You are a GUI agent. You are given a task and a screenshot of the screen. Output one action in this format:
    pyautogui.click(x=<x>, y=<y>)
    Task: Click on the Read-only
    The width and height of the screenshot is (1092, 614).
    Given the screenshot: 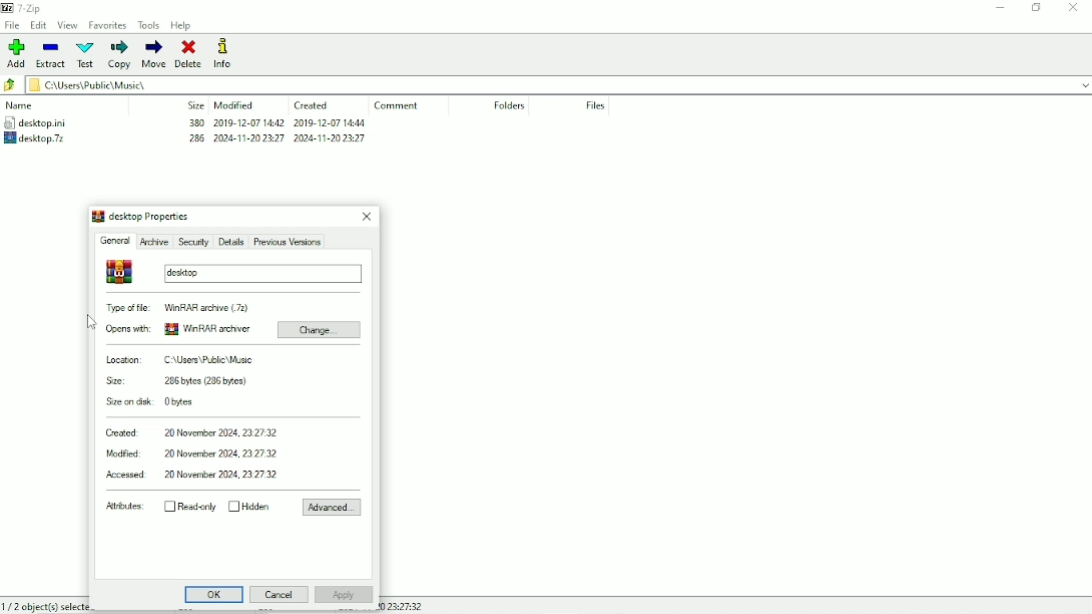 What is the action you would take?
    pyautogui.click(x=190, y=506)
    